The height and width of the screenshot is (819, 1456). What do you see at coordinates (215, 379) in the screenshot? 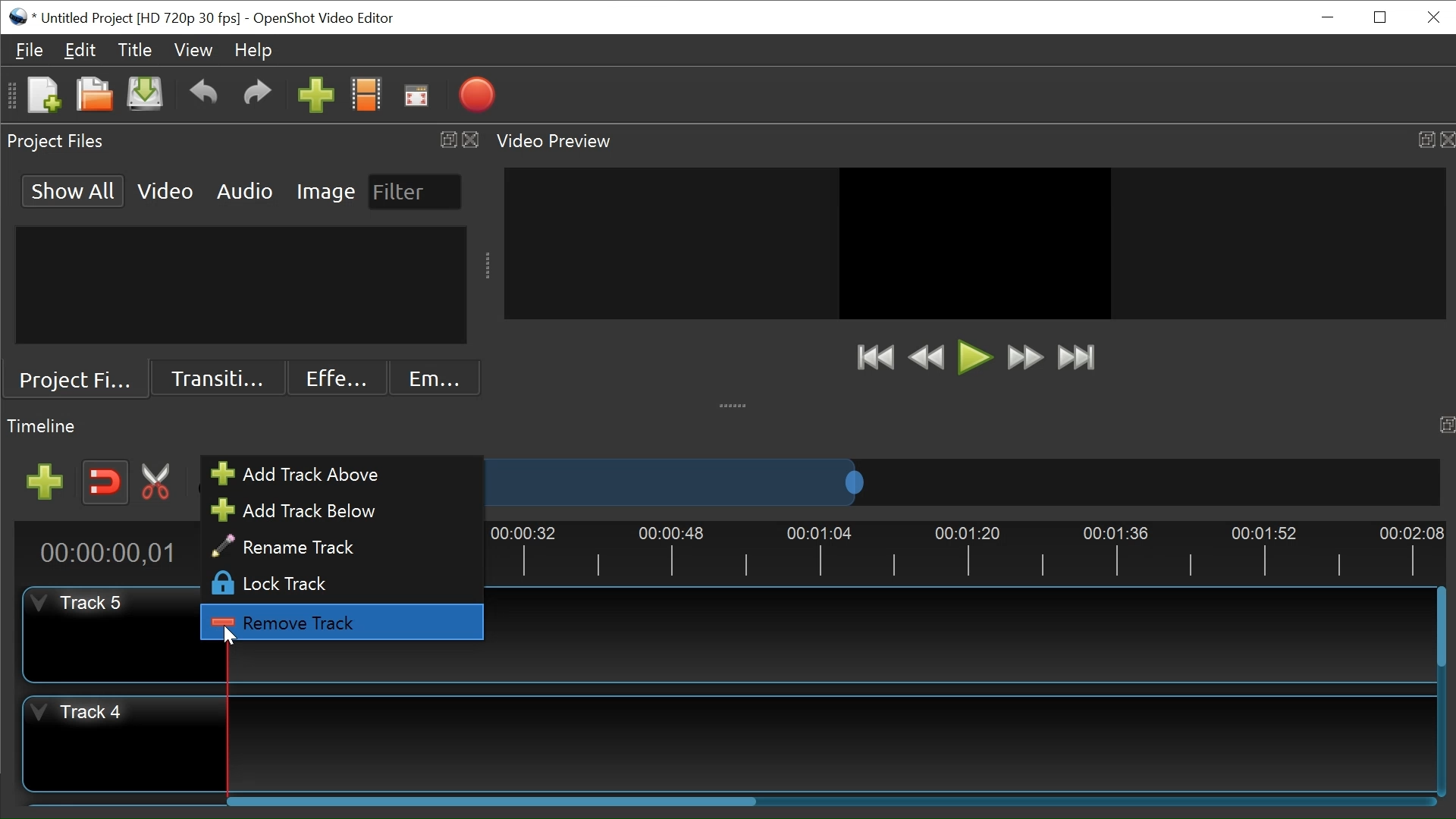
I see `Transition` at bounding box center [215, 379].